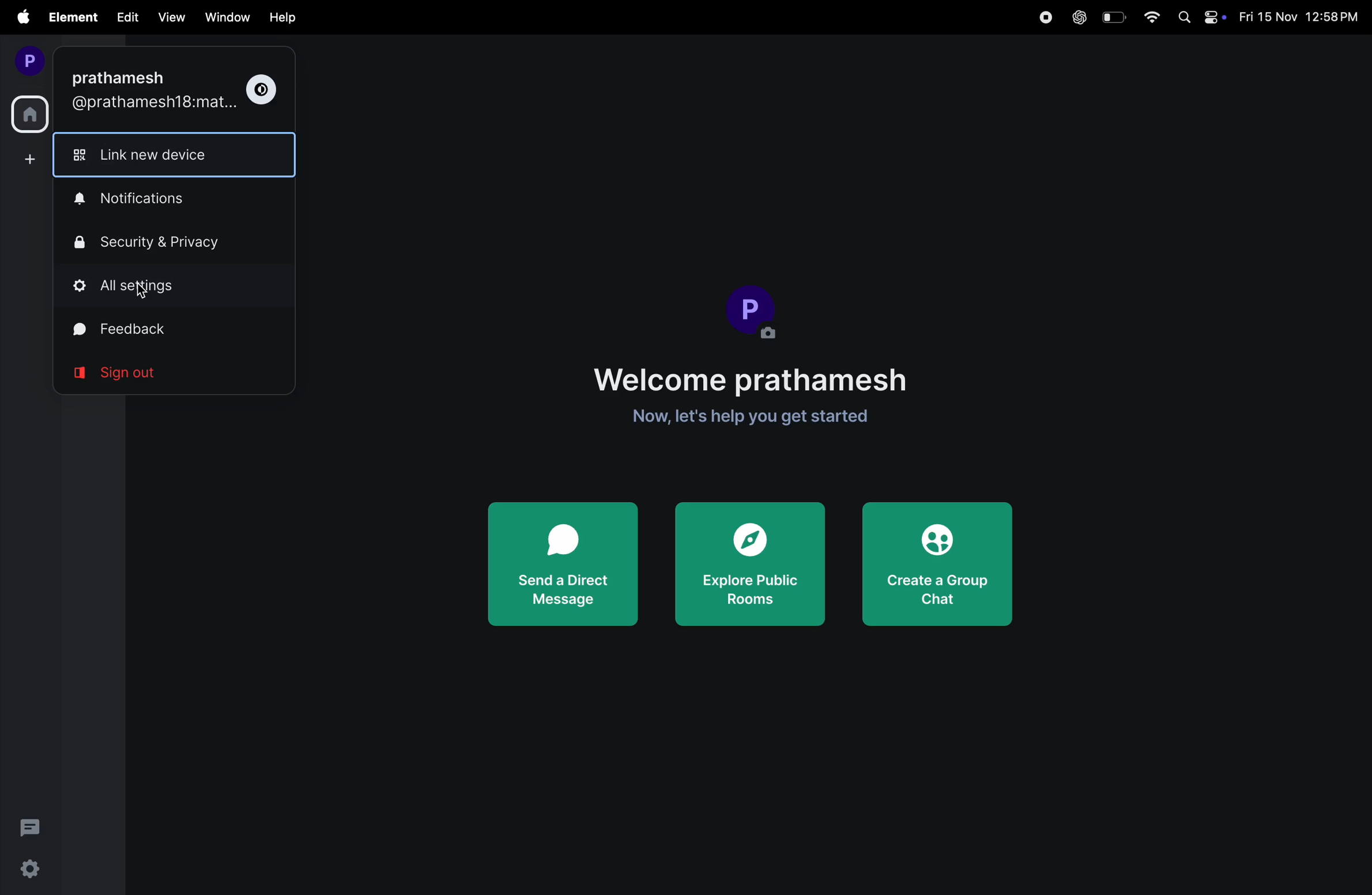  Describe the element at coordinates (25, 60) in the screenshot. I see `profile` at that location.